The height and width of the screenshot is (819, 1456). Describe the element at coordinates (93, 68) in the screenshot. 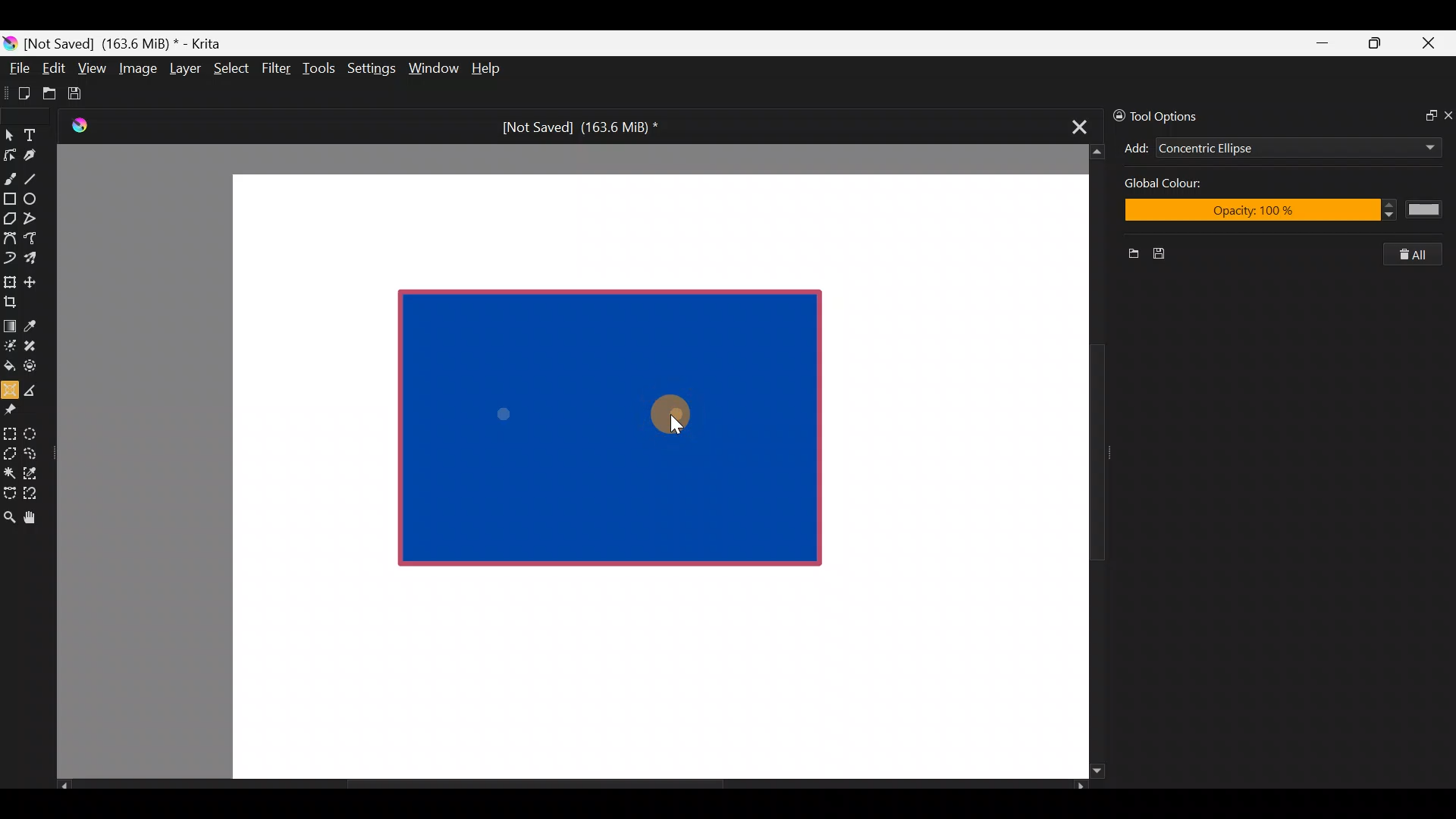

I see `View` at that location.